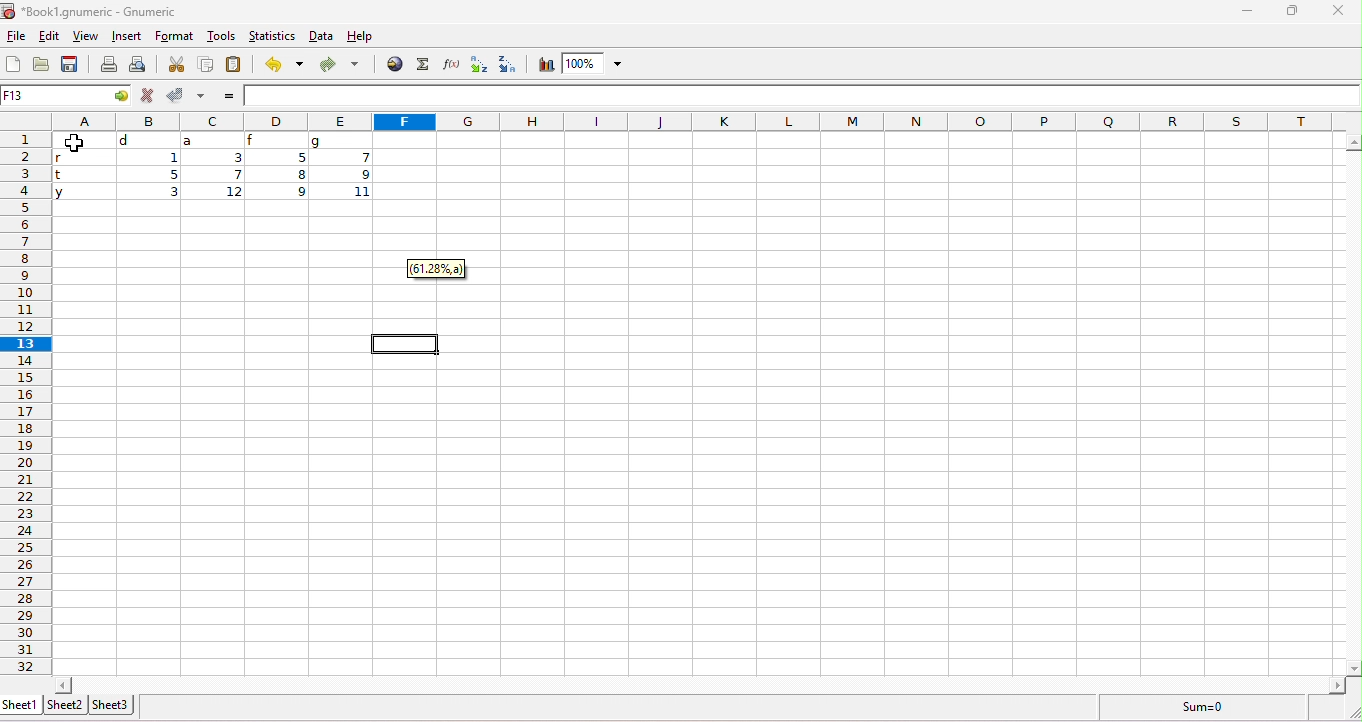  Describe the element at coordinates (1293, 13) in the screenshot. I see `maximize` at that location.